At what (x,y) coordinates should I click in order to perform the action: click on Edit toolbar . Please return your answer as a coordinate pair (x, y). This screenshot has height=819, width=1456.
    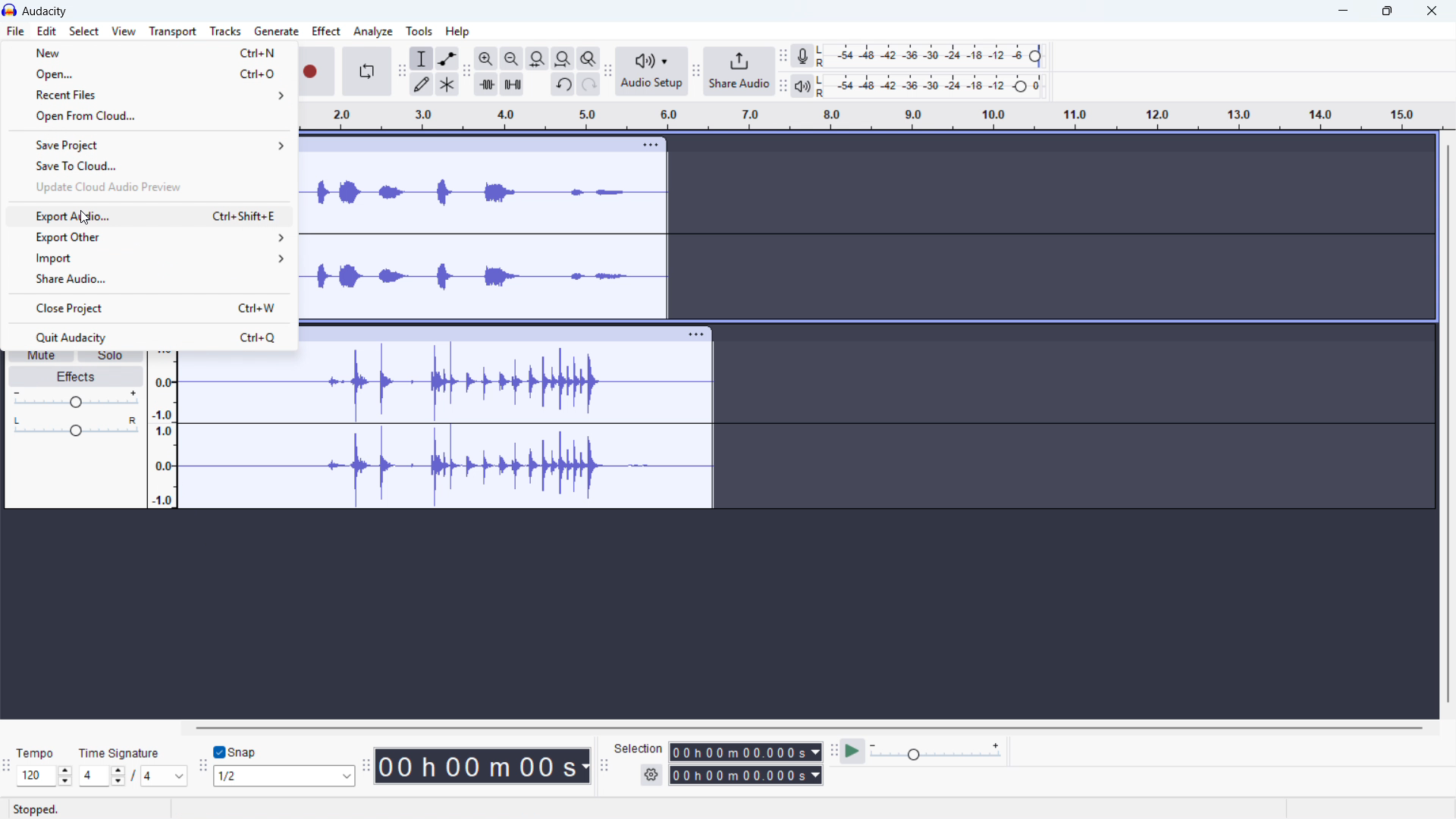
    Looking at the image, I should click on (466, 71).